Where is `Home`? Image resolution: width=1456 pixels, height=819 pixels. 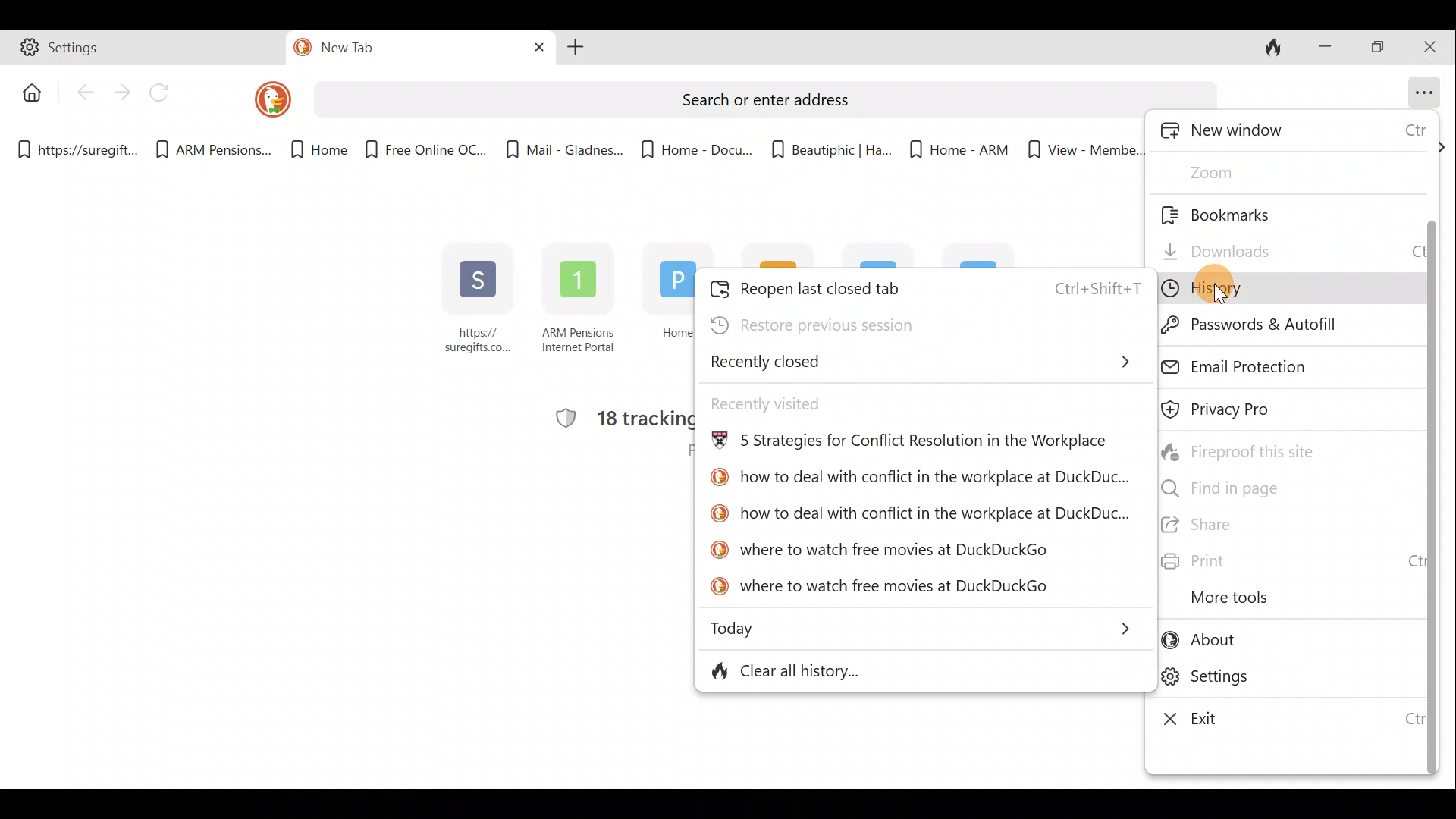 Home is located at coordinates (663, 305).